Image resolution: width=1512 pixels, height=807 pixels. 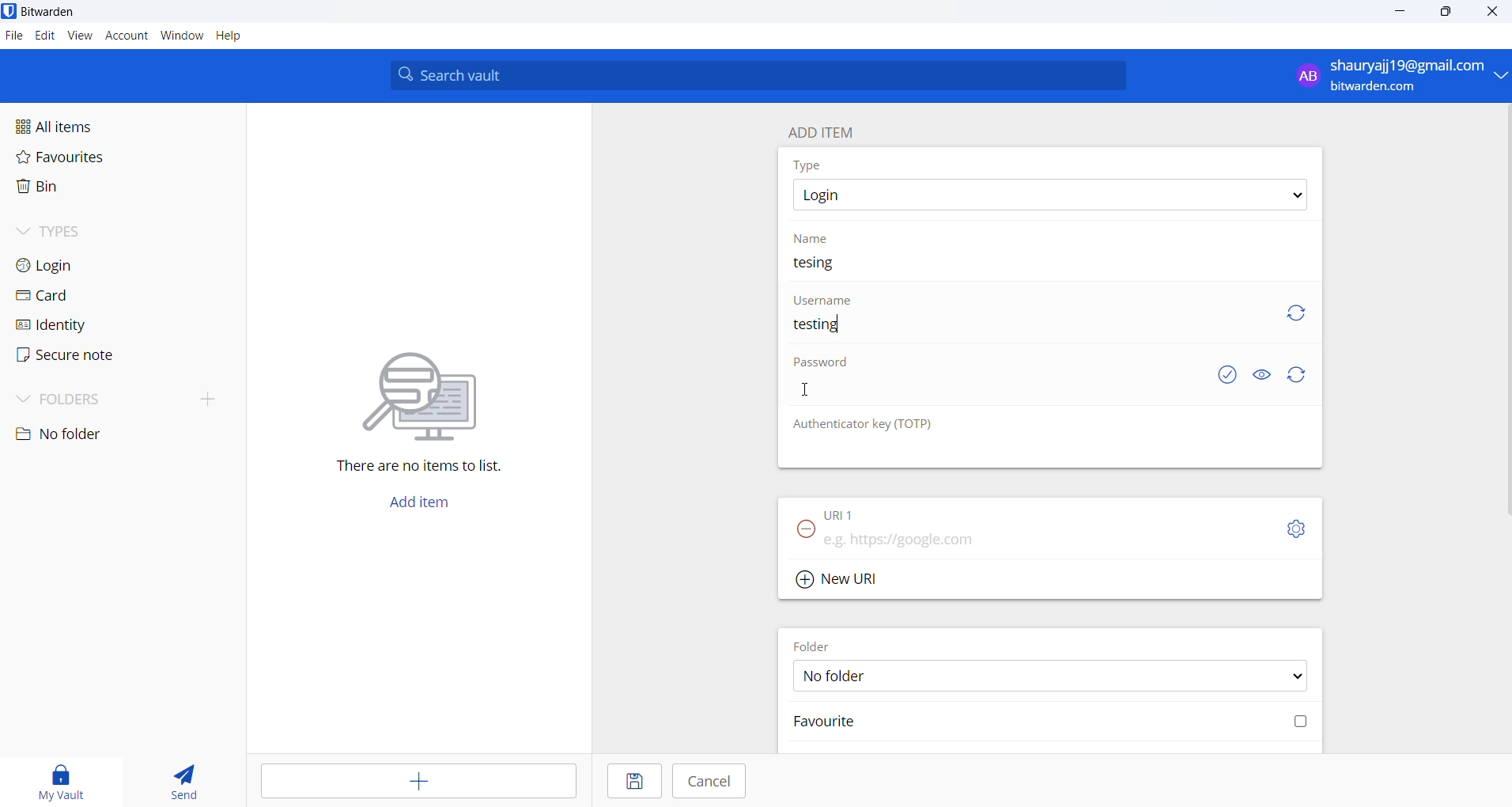 What do you see at coordinates (1000, 396) in the screenshot?
I see `Password input box` at bounding box center [1000, 396].